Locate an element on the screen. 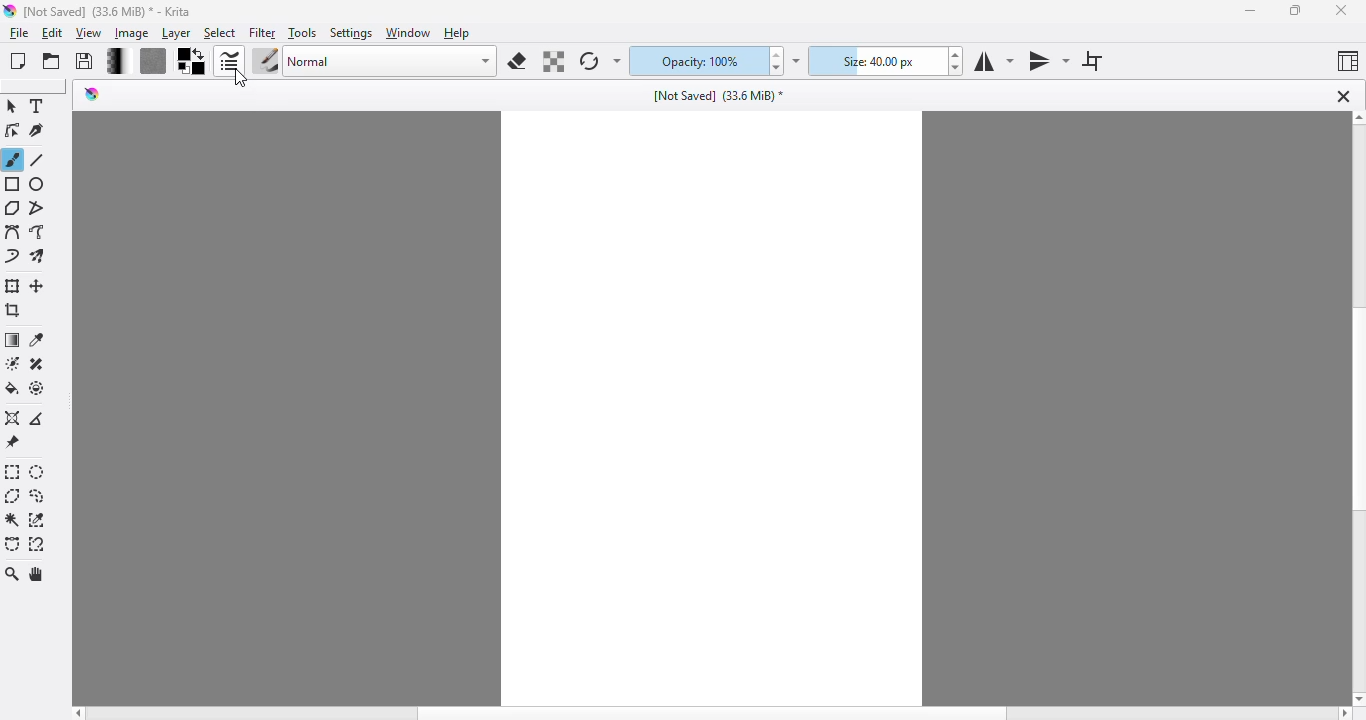  bezier curve tool is located at coordinates (12, 232).